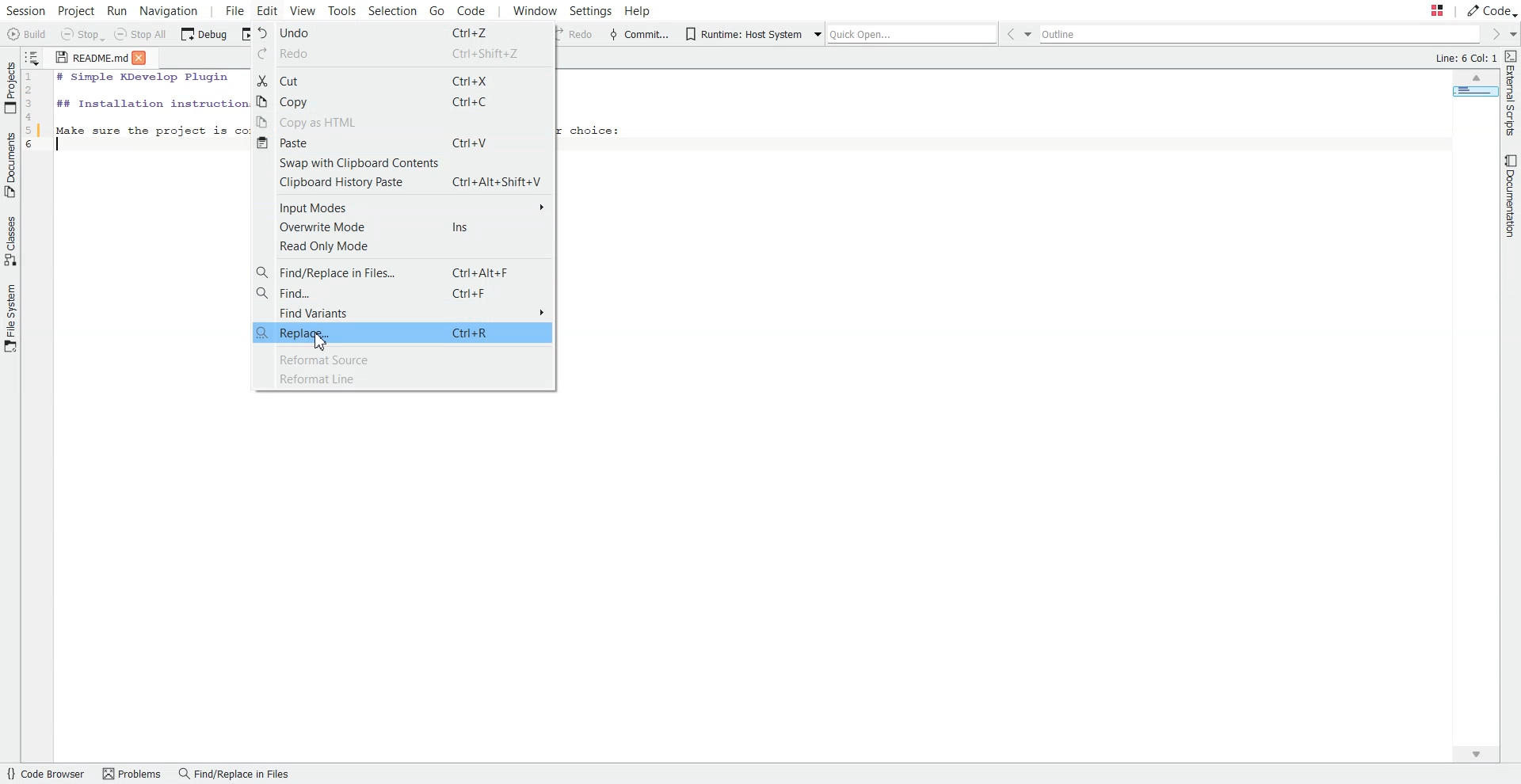 Image resolution: width=1521 pixels, height=784 pixels. Describe the element at coordinates (1263, 35) in the screenshot. I see `Outline` at that location.